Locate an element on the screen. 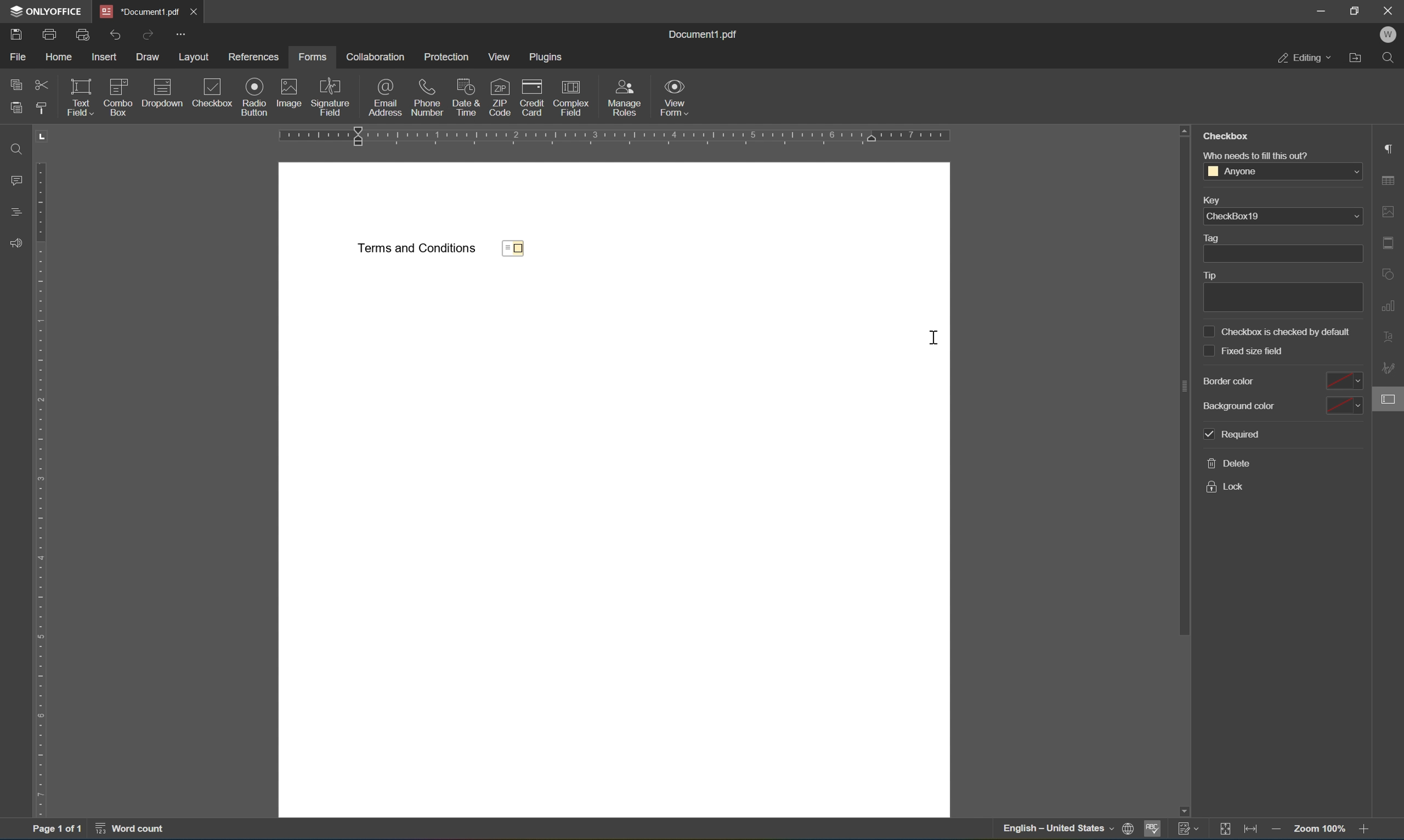  copy style is located at coordinates (42, 110).